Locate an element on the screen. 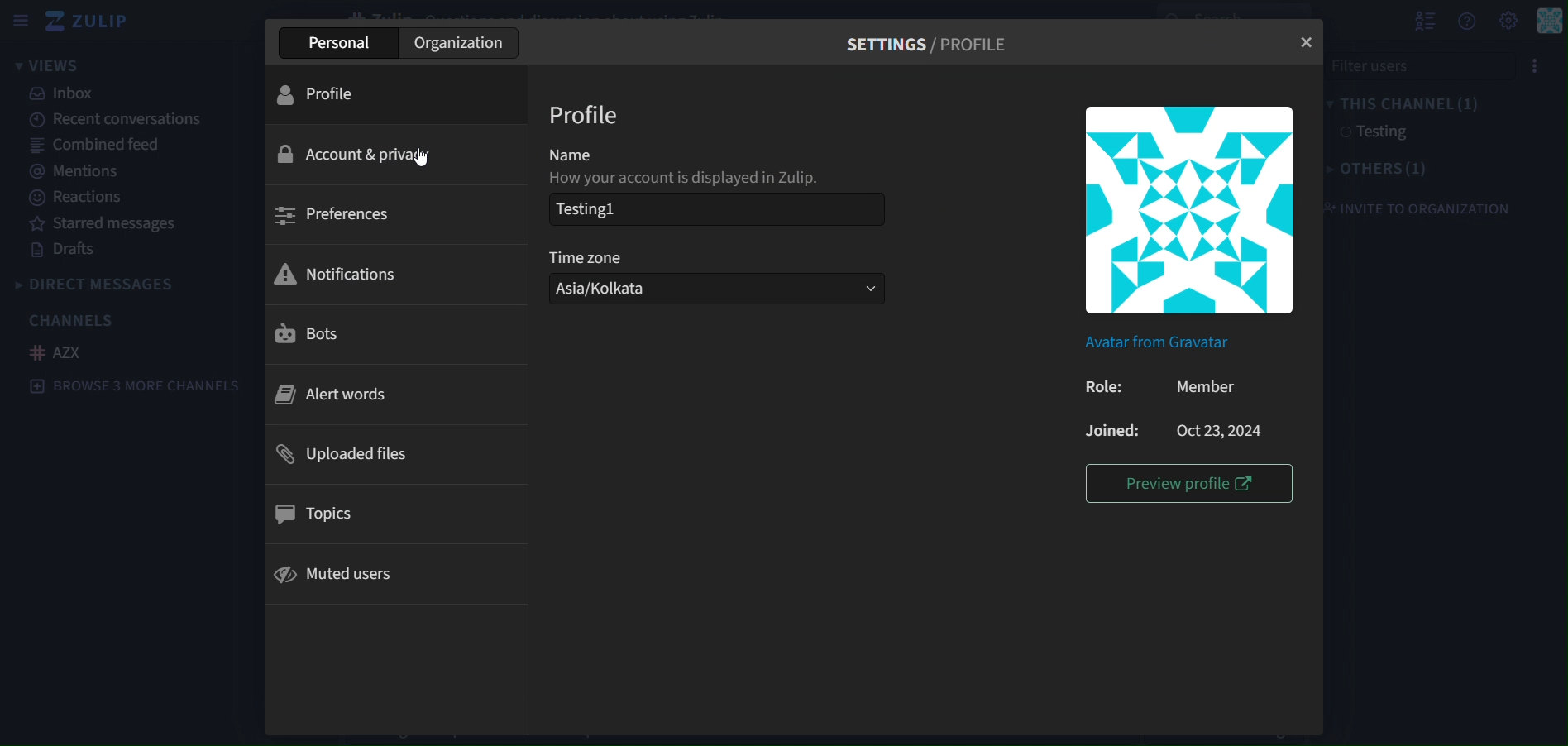 This screenshot has height=746, width=1568. close is located at coordinates (1307, 41).